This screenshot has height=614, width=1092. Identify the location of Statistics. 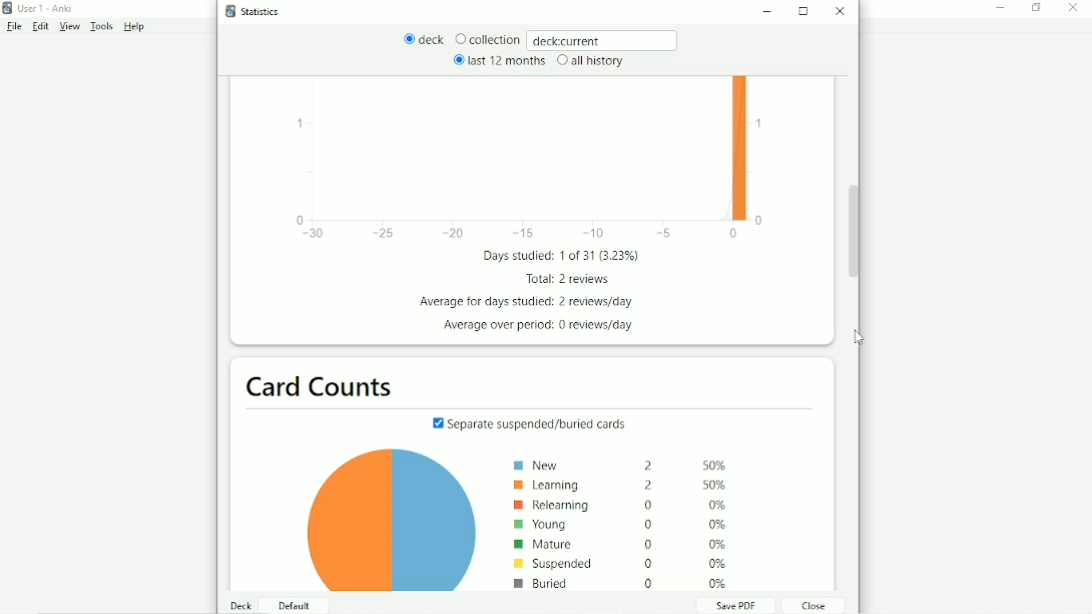
(257, 11).